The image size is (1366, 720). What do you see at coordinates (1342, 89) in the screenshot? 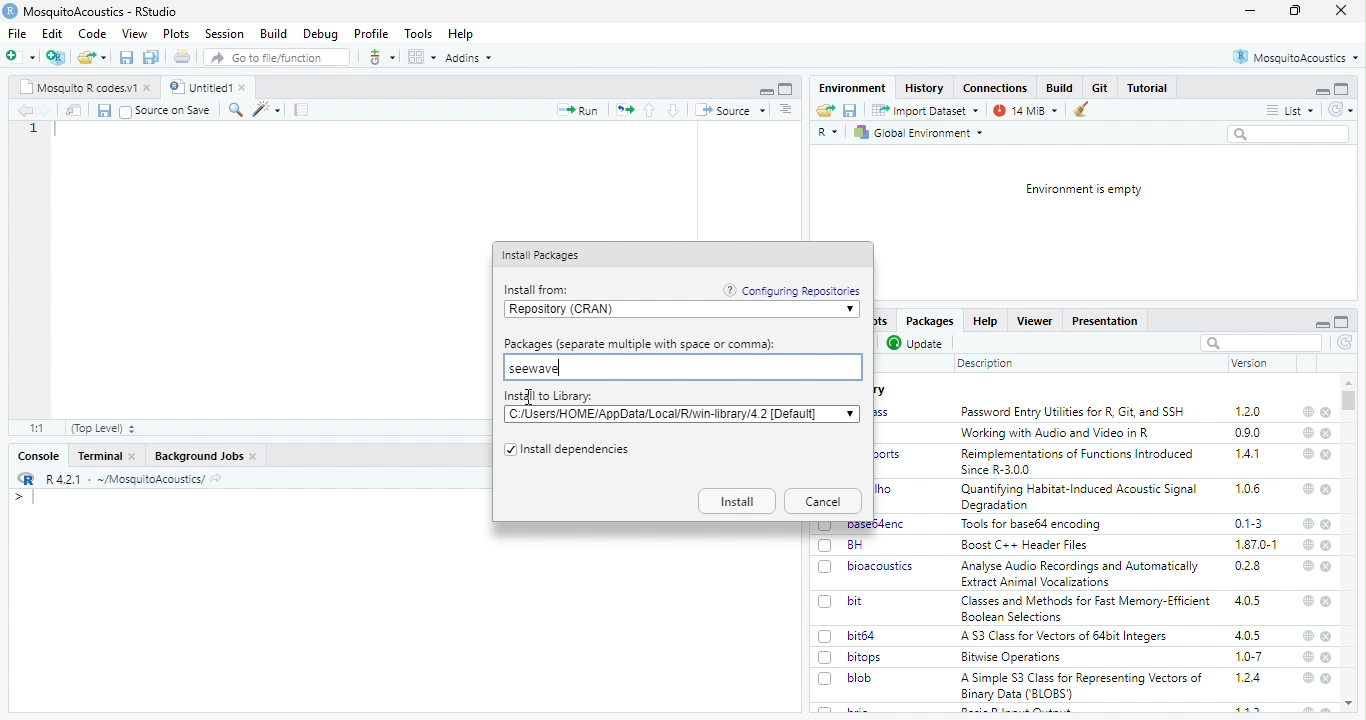
I see `maximise` at bounding box center [1342, 89].